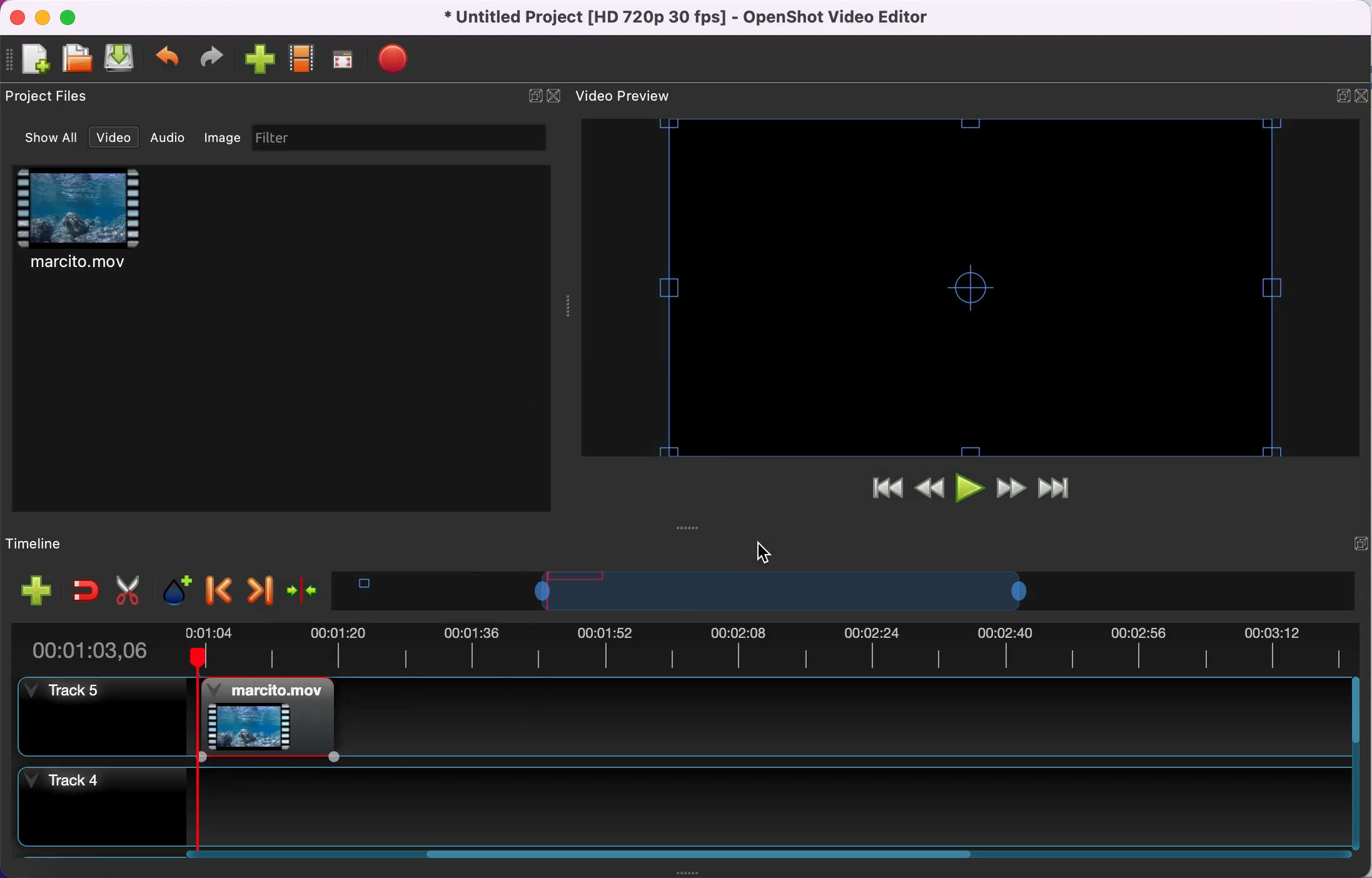 This screenshot has height=878, width=1372. I want to click on close, so click(557, 97).